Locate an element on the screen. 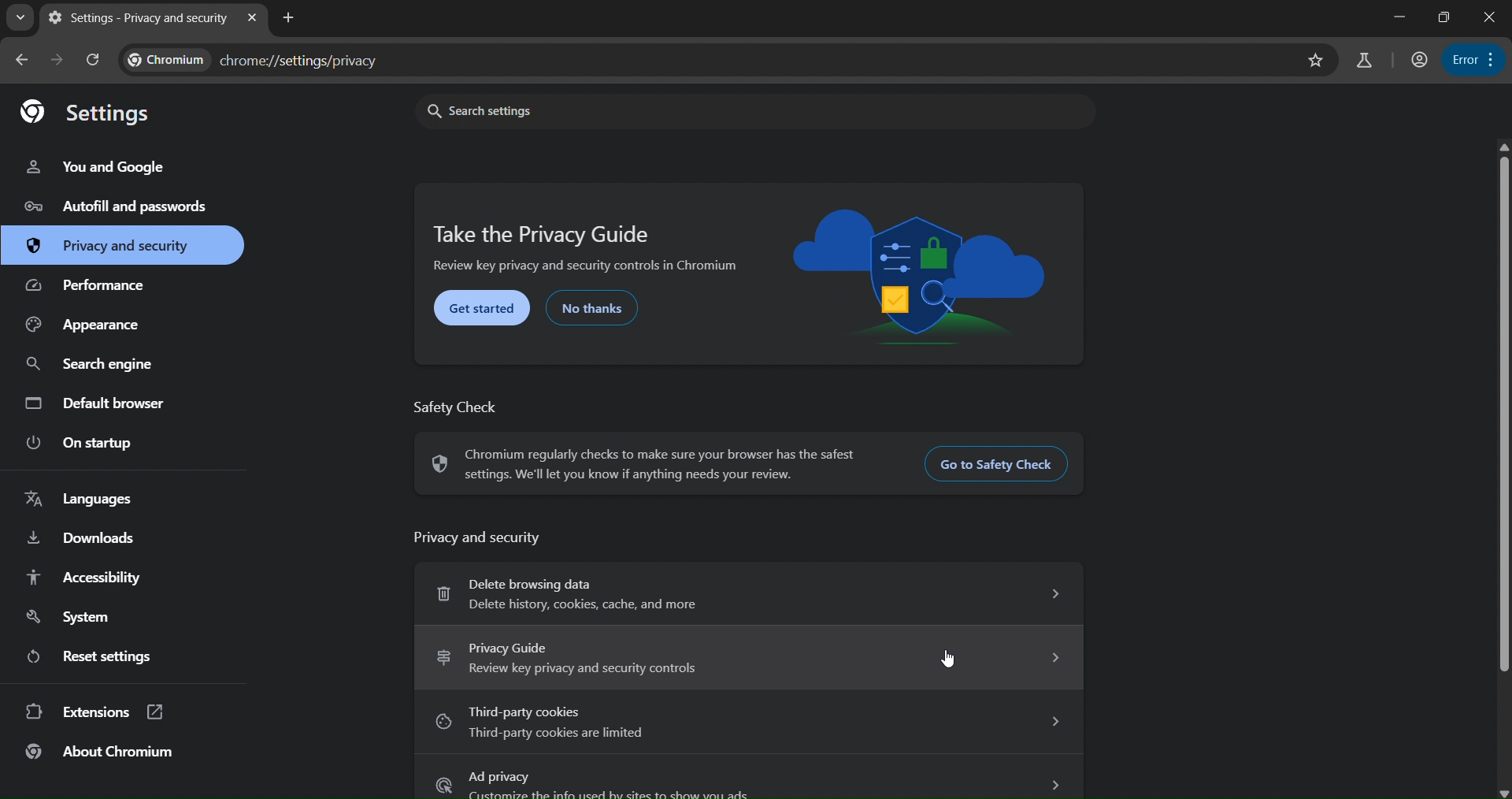 The height and width of the screenshot is (799, 1512). on startup is located at coordinates (81, 443).